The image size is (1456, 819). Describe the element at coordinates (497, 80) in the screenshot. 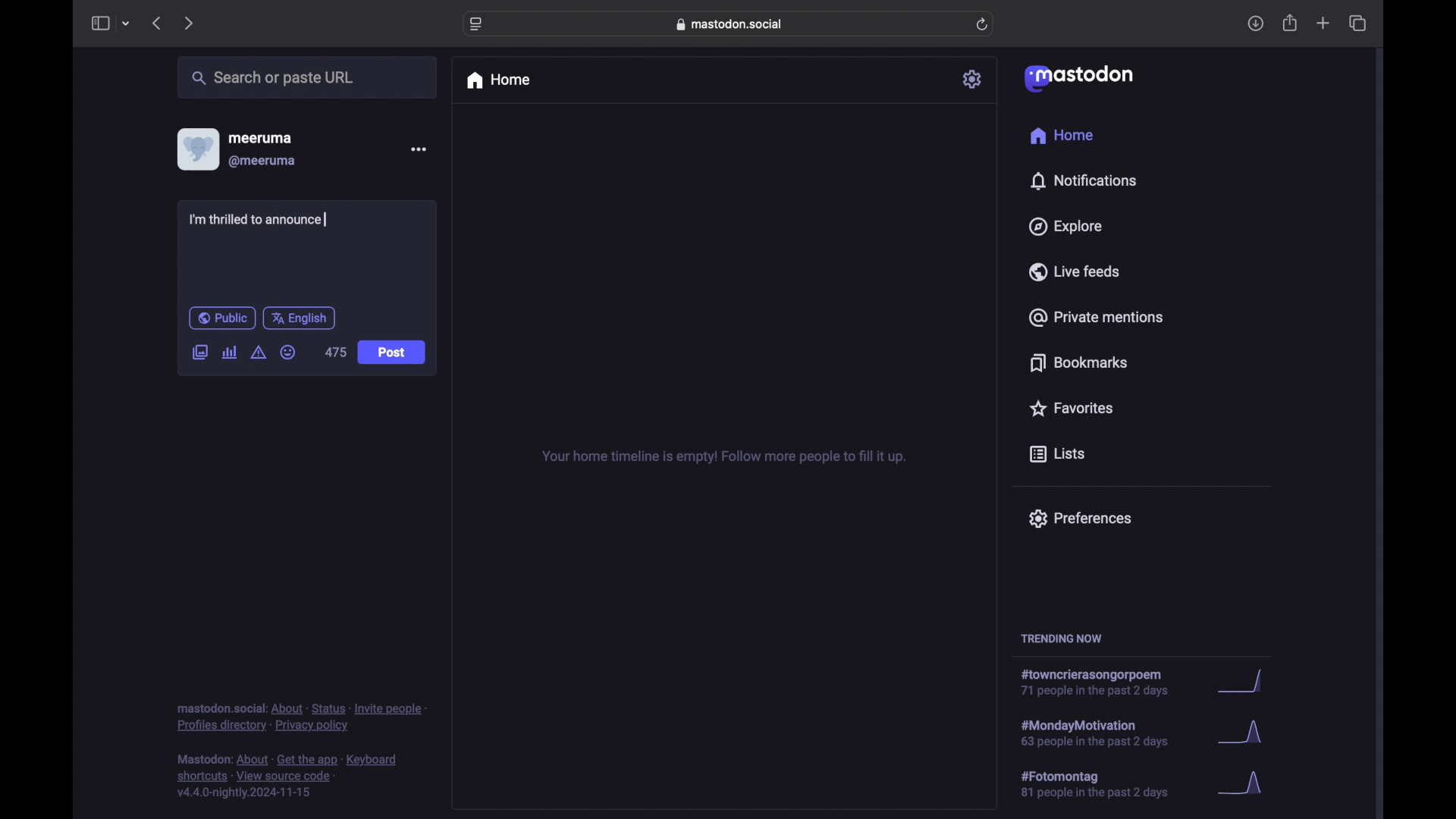

I see `home` at that location.